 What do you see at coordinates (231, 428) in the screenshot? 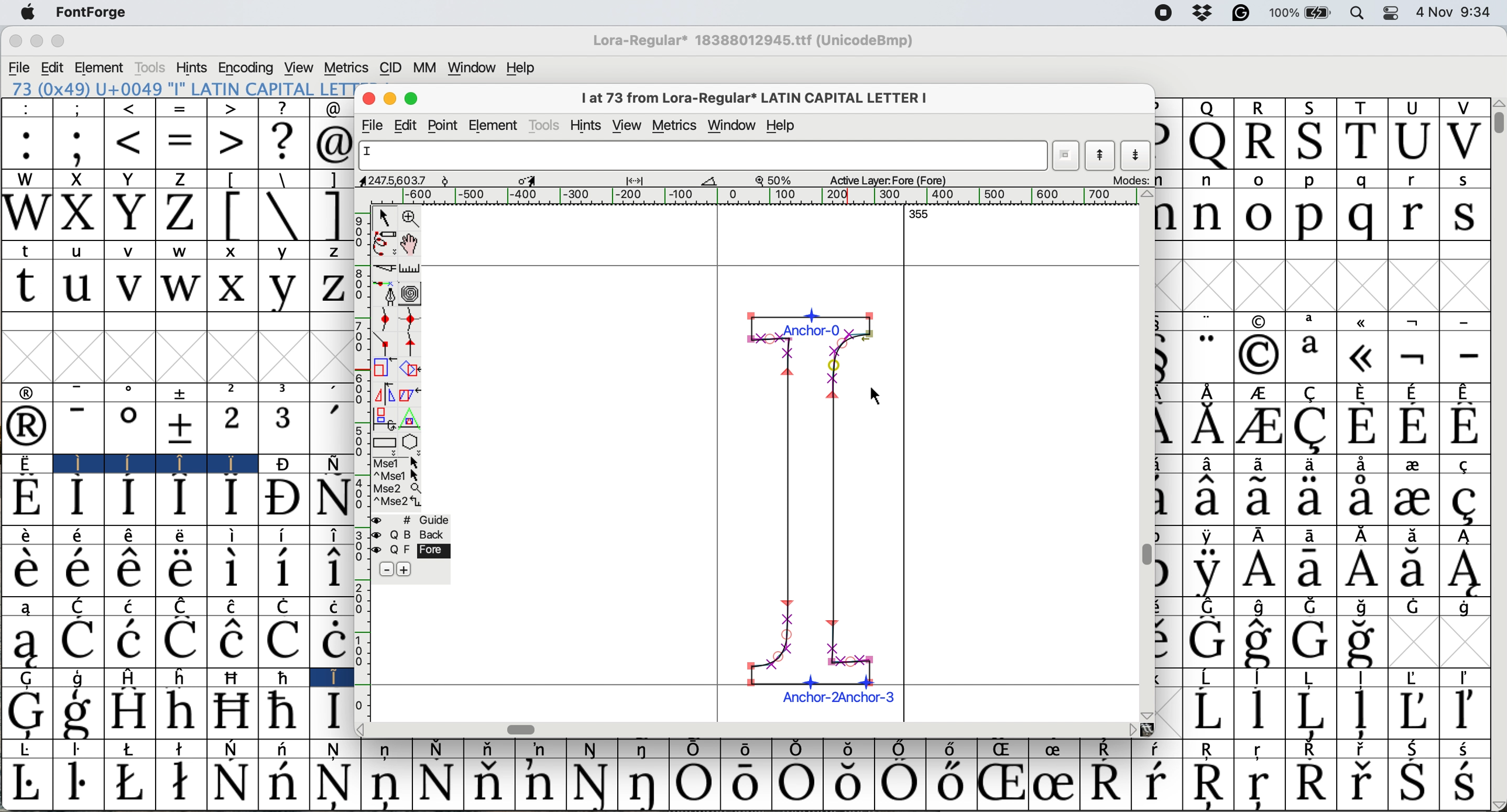
I see `2` at bounding box center [231, 428].